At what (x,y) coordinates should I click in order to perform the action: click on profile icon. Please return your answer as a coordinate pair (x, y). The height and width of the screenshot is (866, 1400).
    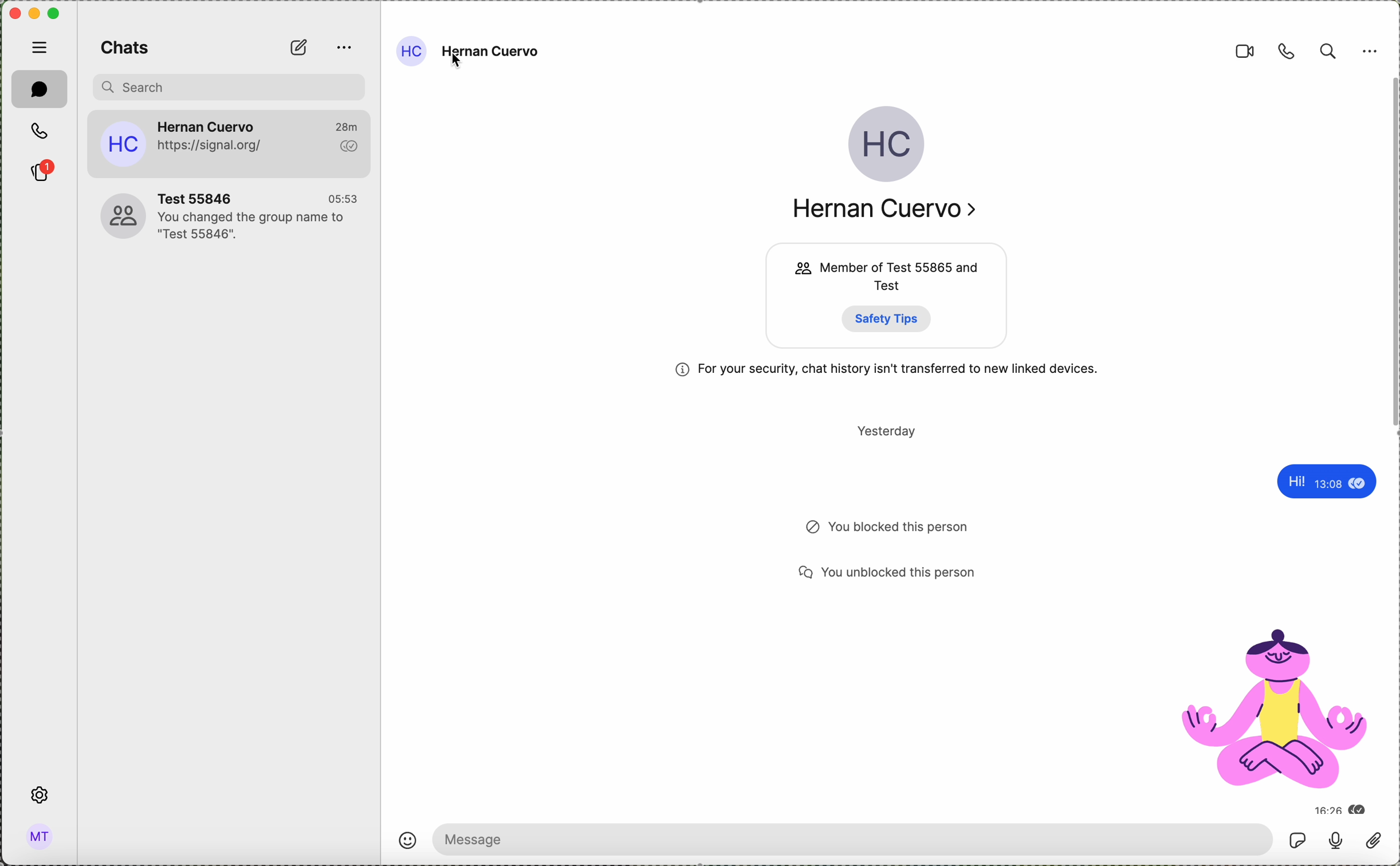
    Looking at the image, I should click on (122, 144).